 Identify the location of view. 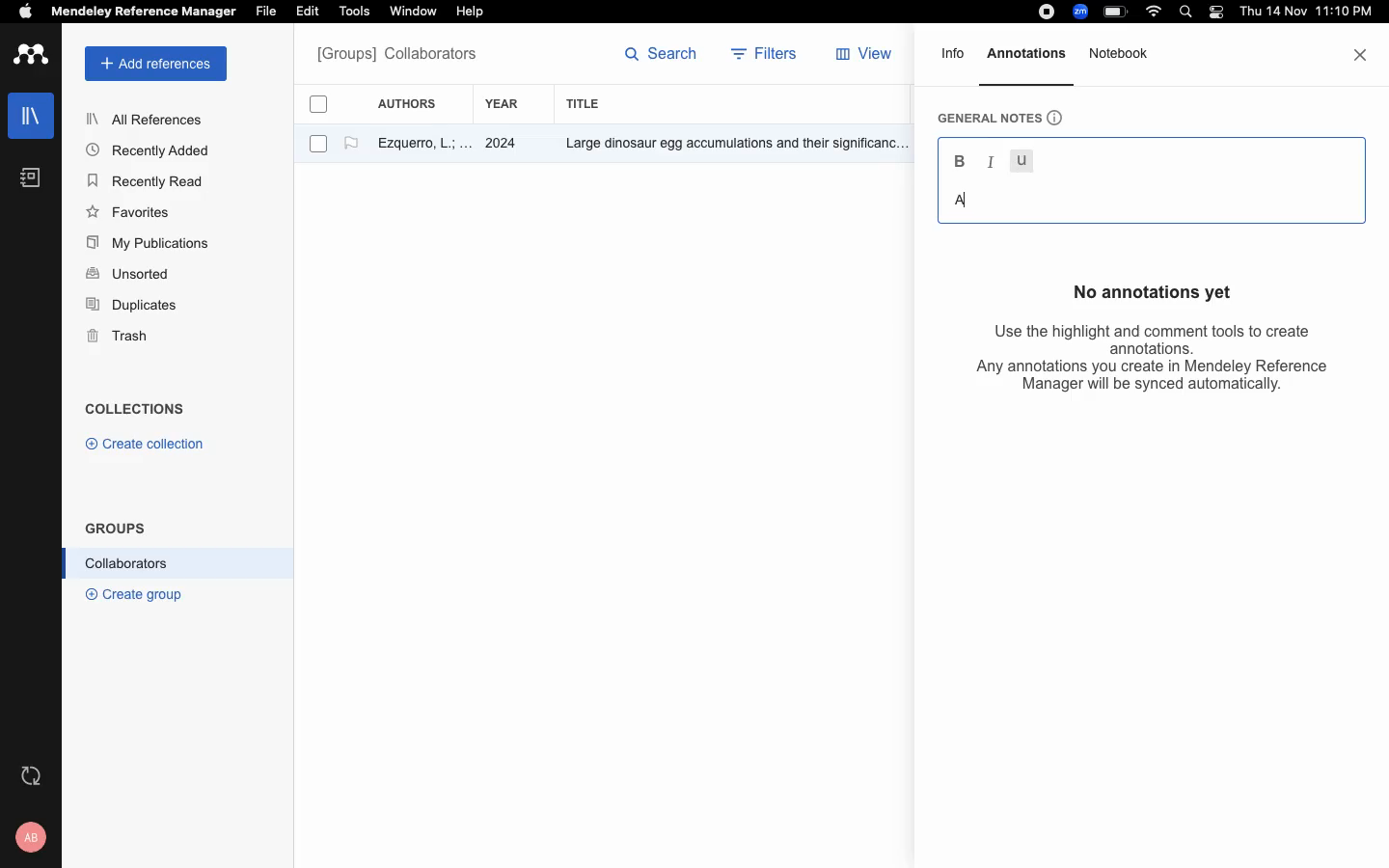
(868, 58).